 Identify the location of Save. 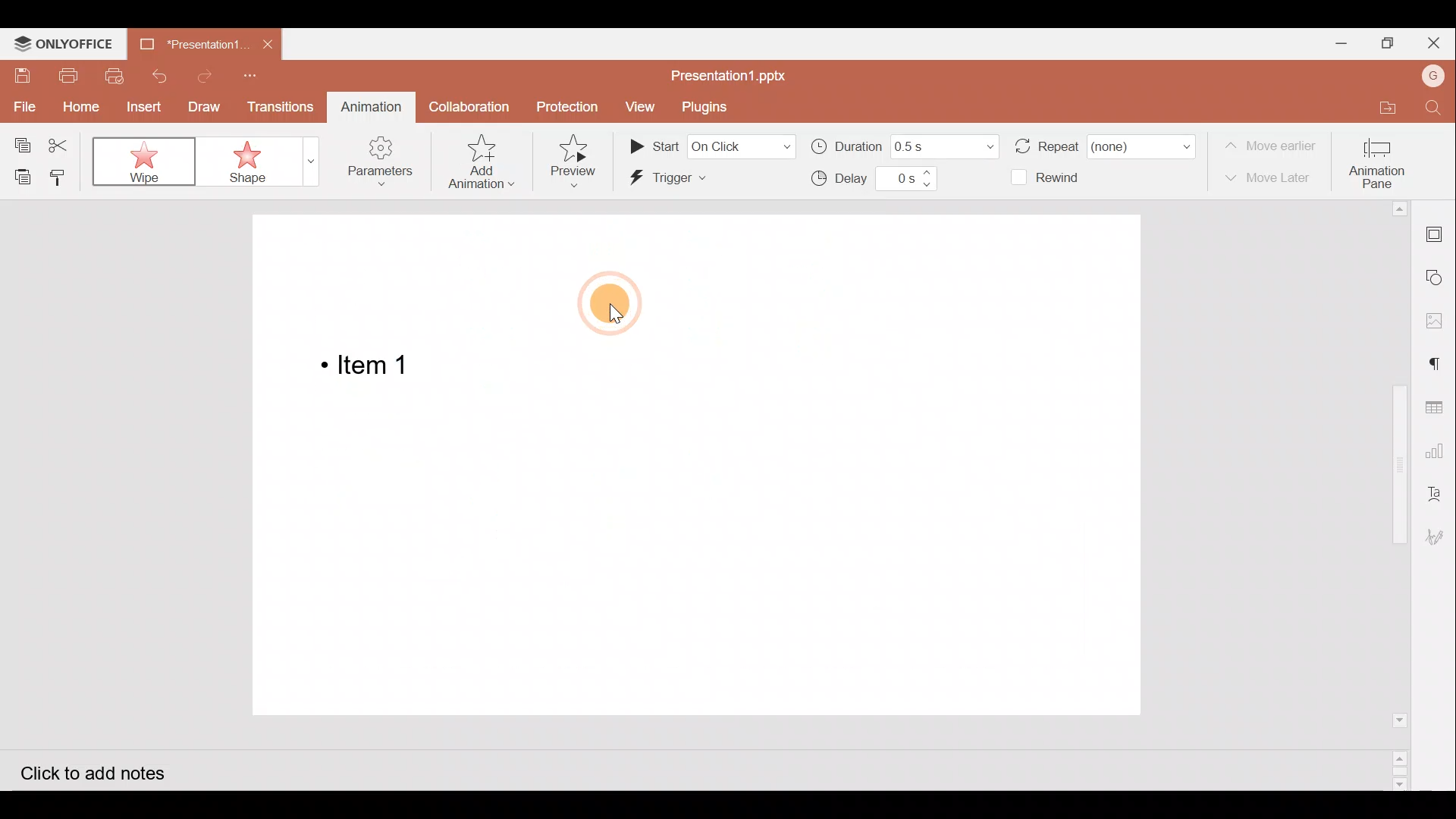
(21, 76).